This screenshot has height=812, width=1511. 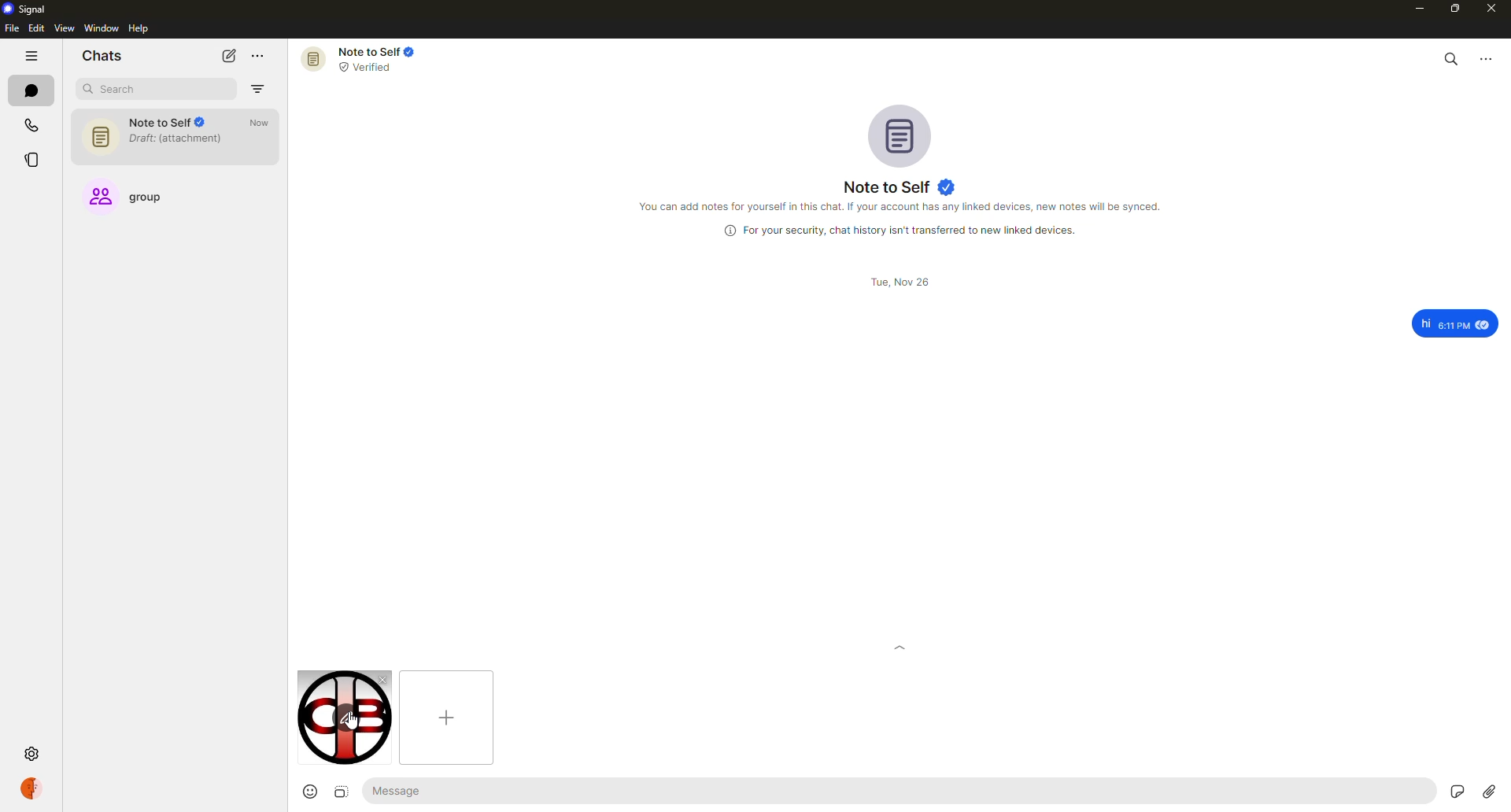 I want to click on stickers, so click(x=1453, y=790).